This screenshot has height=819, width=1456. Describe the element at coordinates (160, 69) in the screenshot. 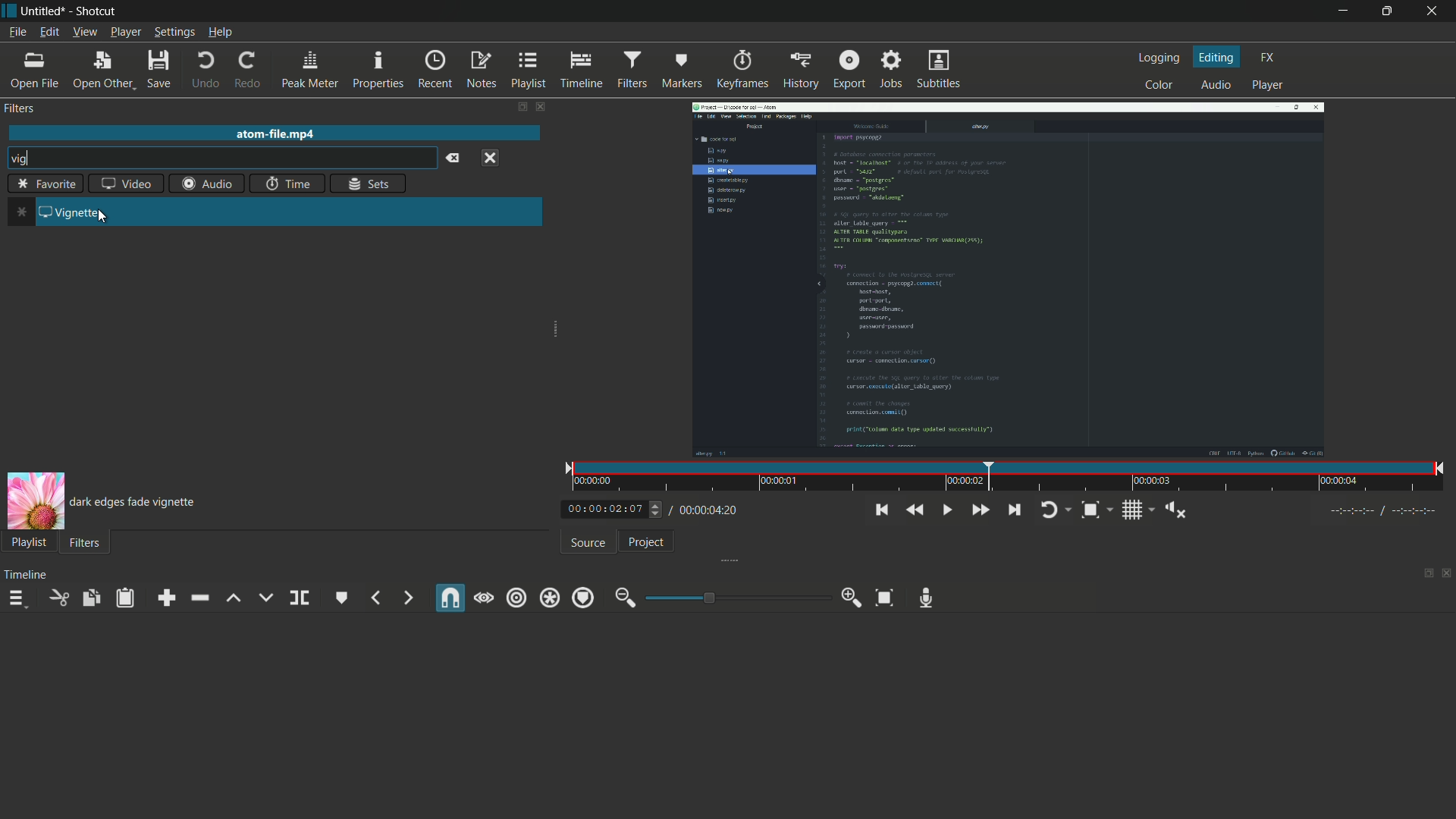

I see `save` at that location.